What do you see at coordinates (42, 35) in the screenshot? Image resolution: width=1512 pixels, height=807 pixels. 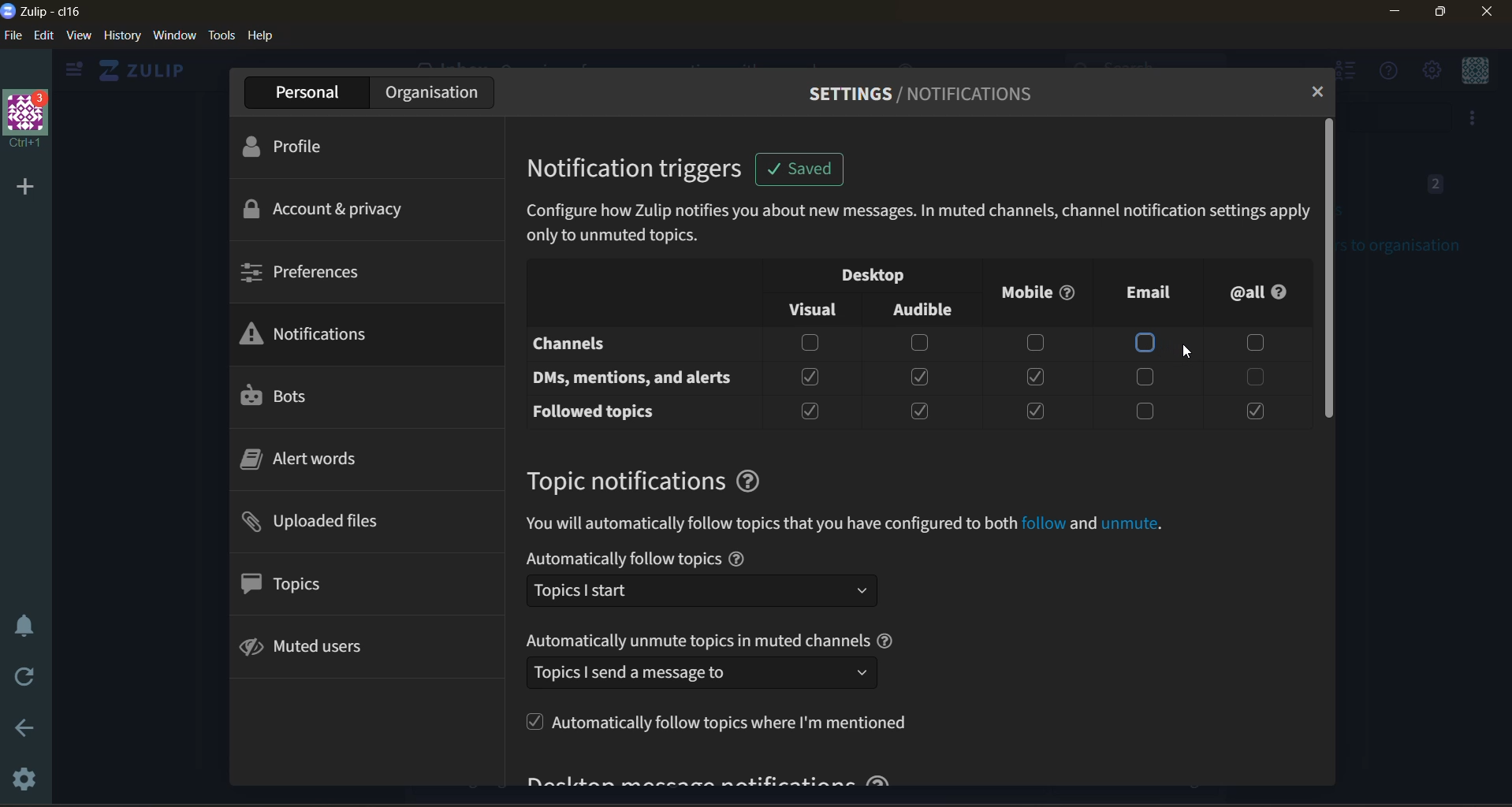 I see `edit` at bounding box center [42, 35].